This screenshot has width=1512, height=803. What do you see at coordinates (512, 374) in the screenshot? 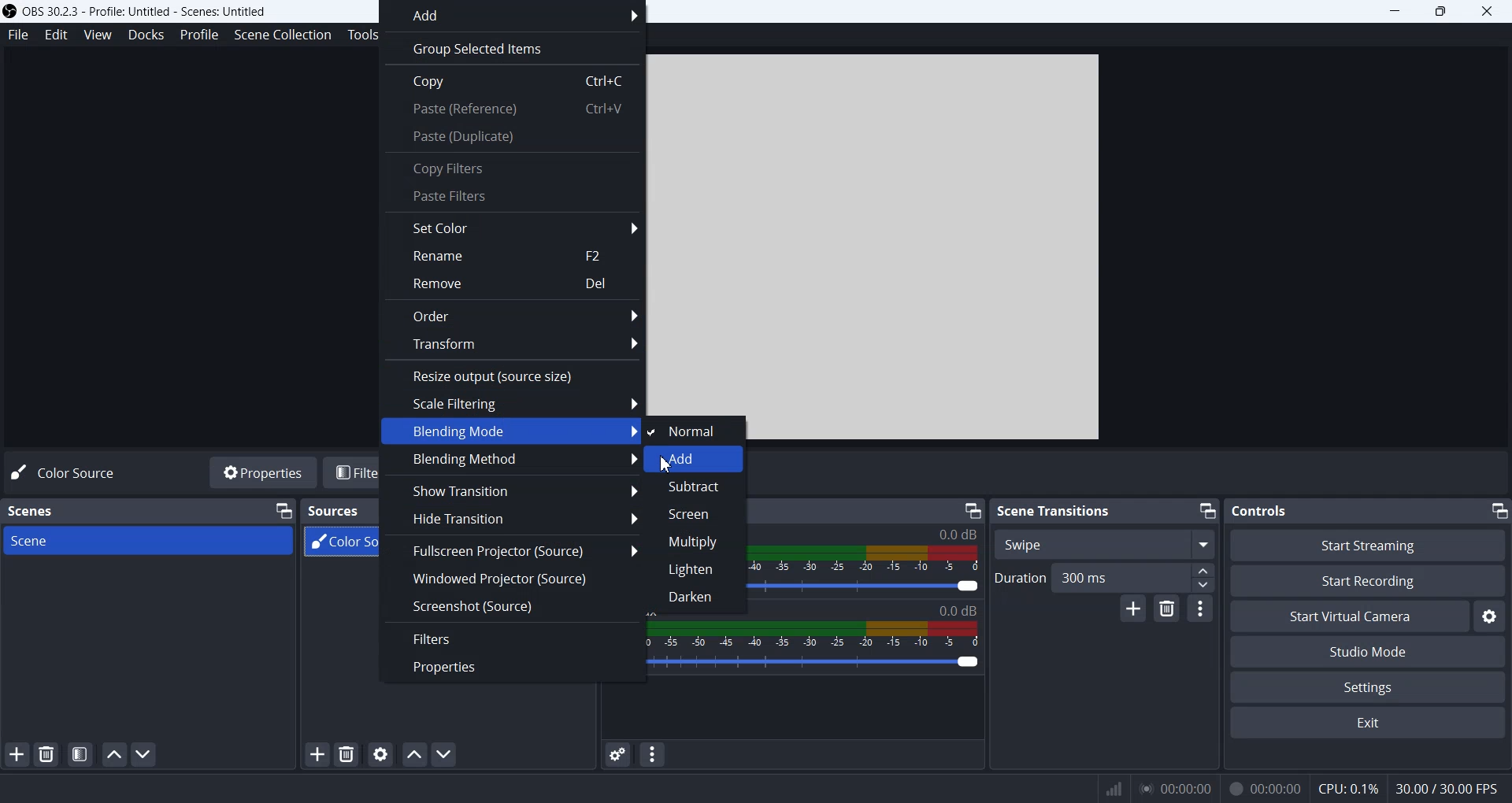
I see `Resize output (source size)` at bounding box center [512, 374].